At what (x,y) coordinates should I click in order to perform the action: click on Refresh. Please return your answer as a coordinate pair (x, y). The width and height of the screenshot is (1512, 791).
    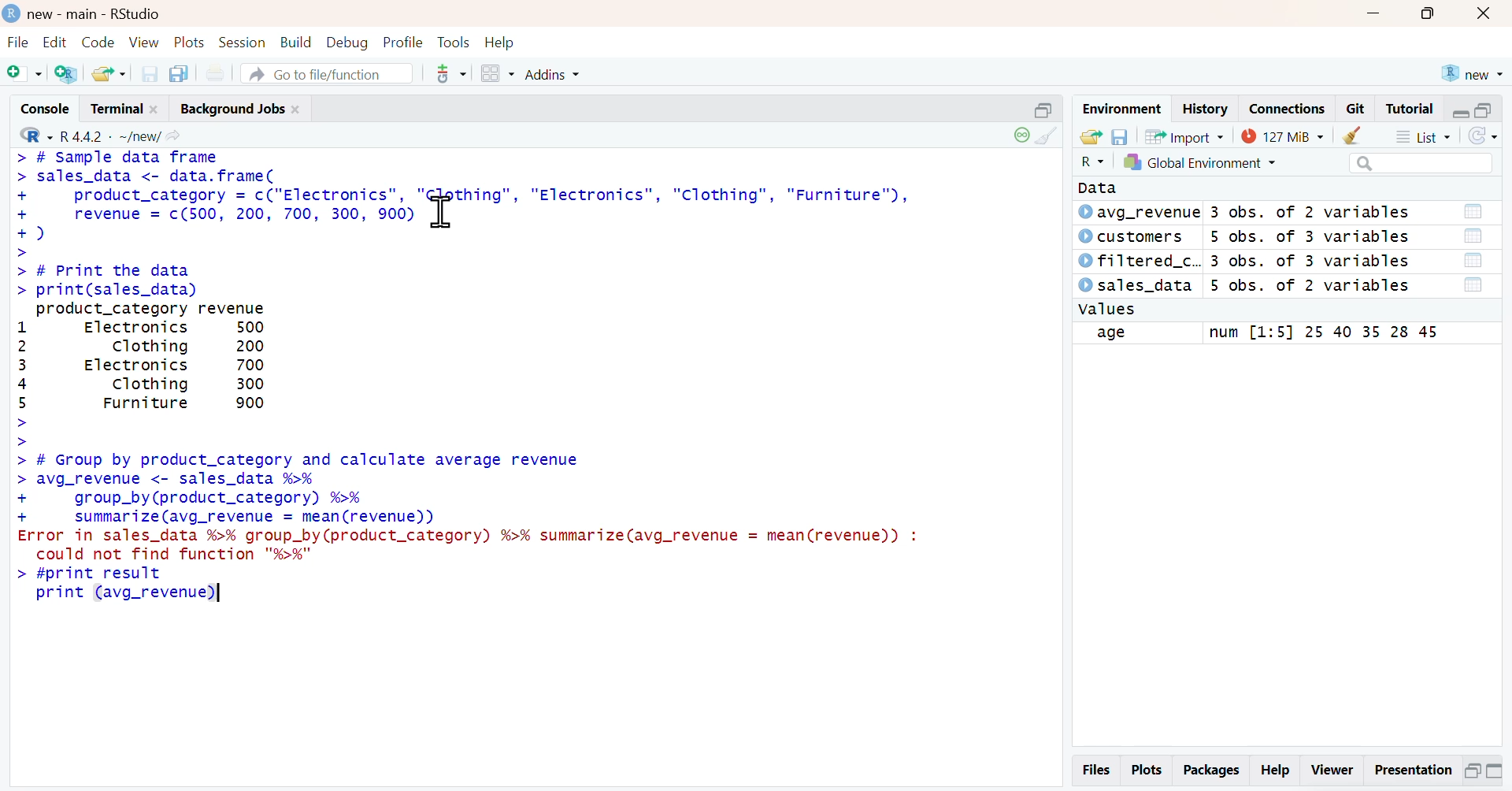
    Looking at the image, I should click on (1482, 136).